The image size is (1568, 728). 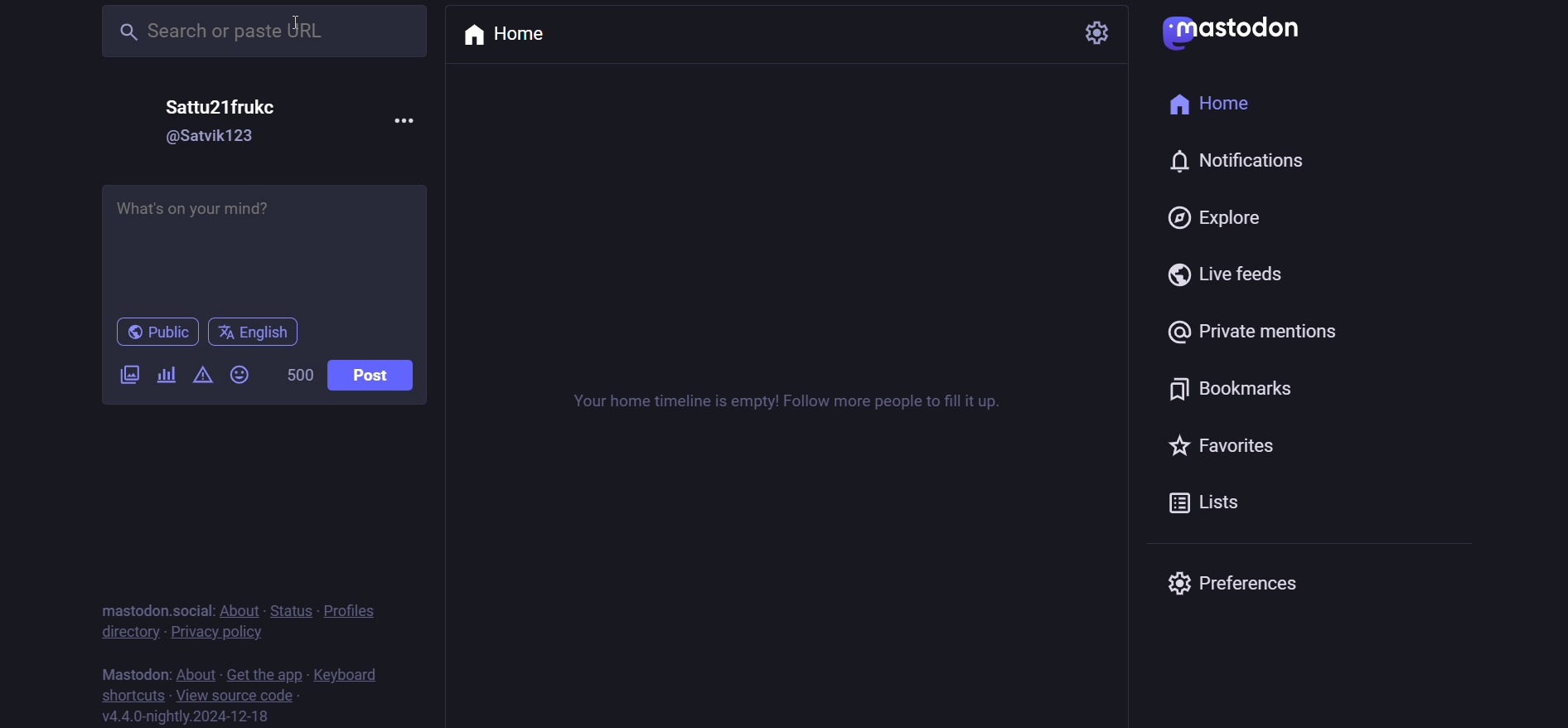 What do you see at coordinates (238, 694) in the screenshot?
I see `source code` at bounding box center [238, 694].